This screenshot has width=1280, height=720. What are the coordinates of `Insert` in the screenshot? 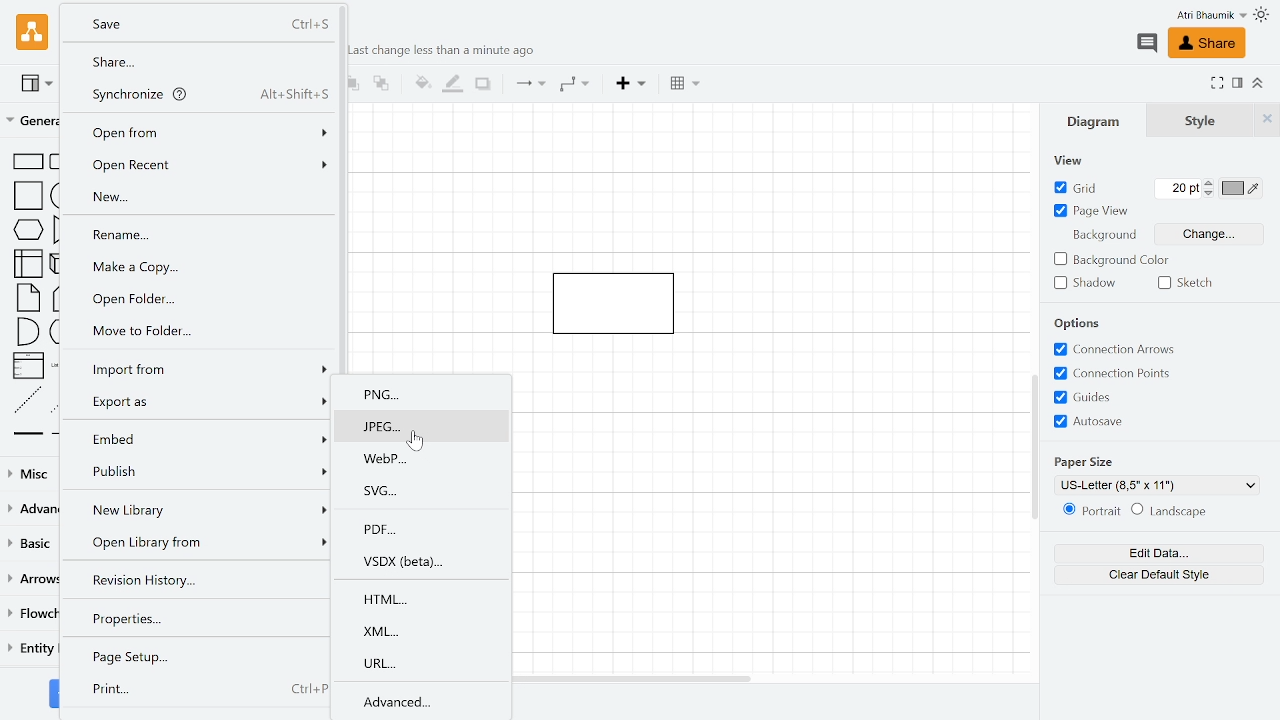 It's located at (630, 84).